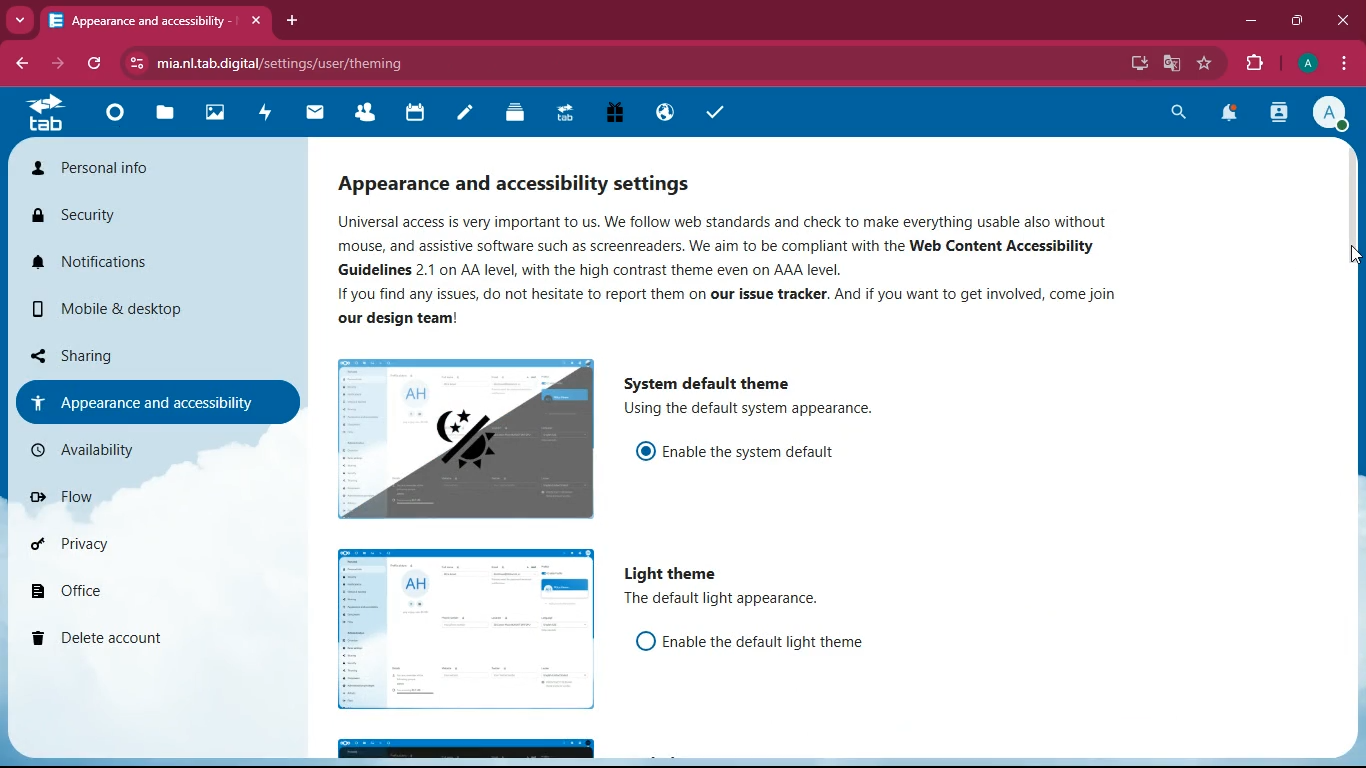 The image size is (1366, 768). Describe the element at coordinates (464, 748) in the screenshot. I see `theme preview` at that location.